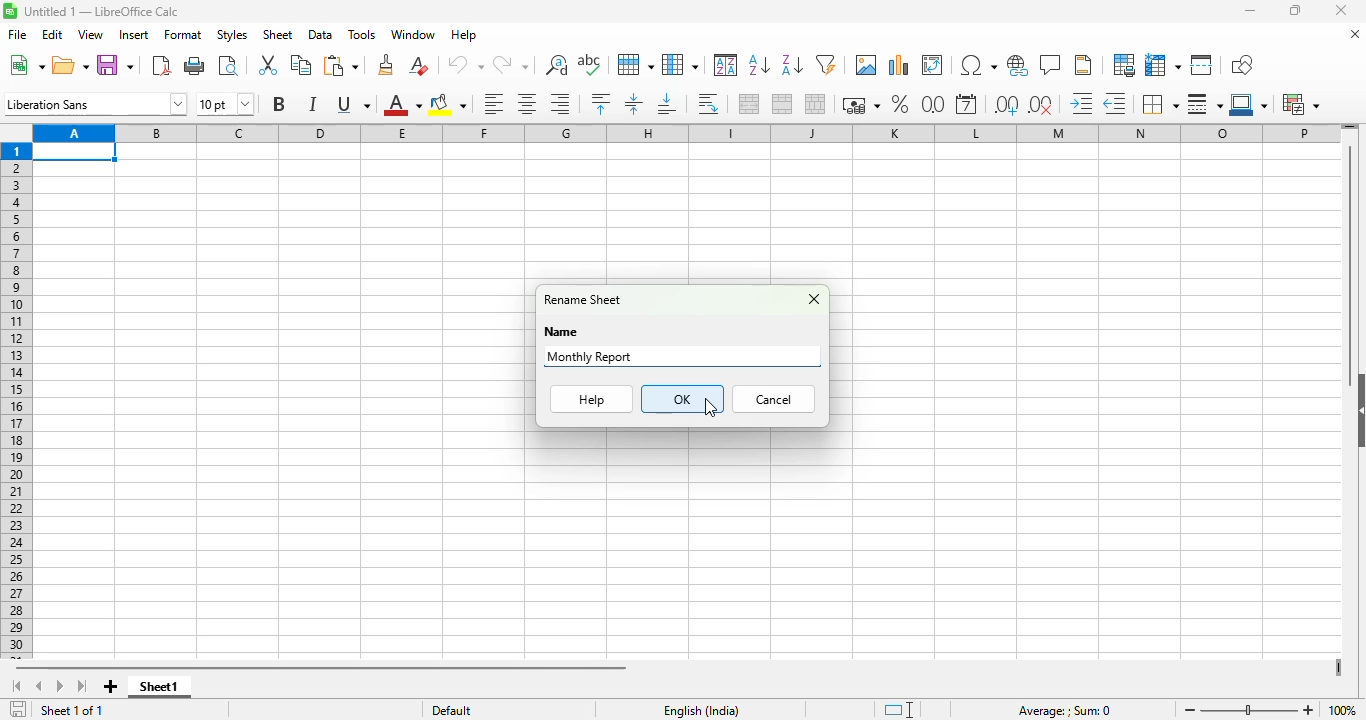  I want to click on wrap text, so click(708, 105).